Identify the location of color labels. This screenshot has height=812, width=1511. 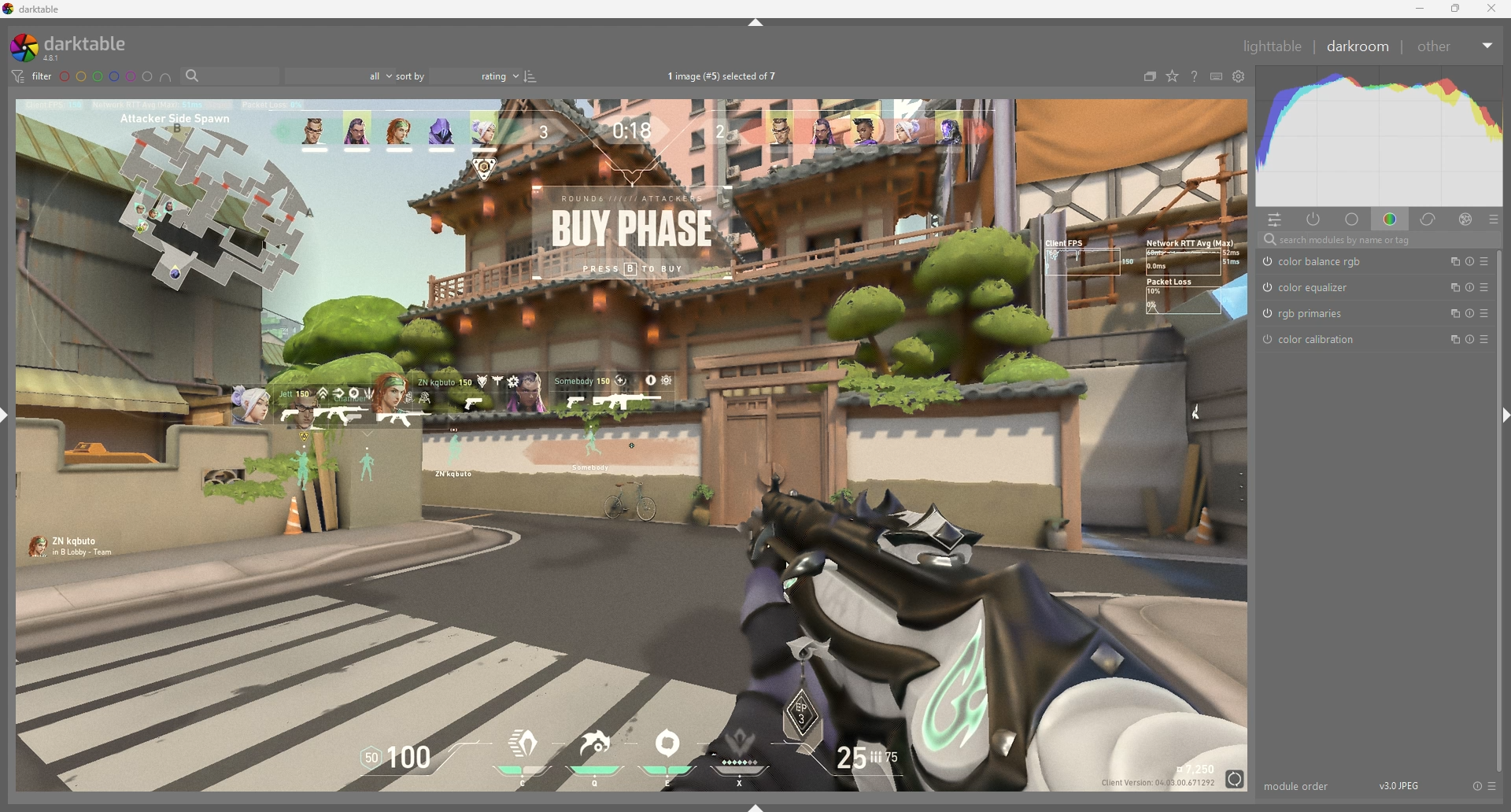
(105, 76).